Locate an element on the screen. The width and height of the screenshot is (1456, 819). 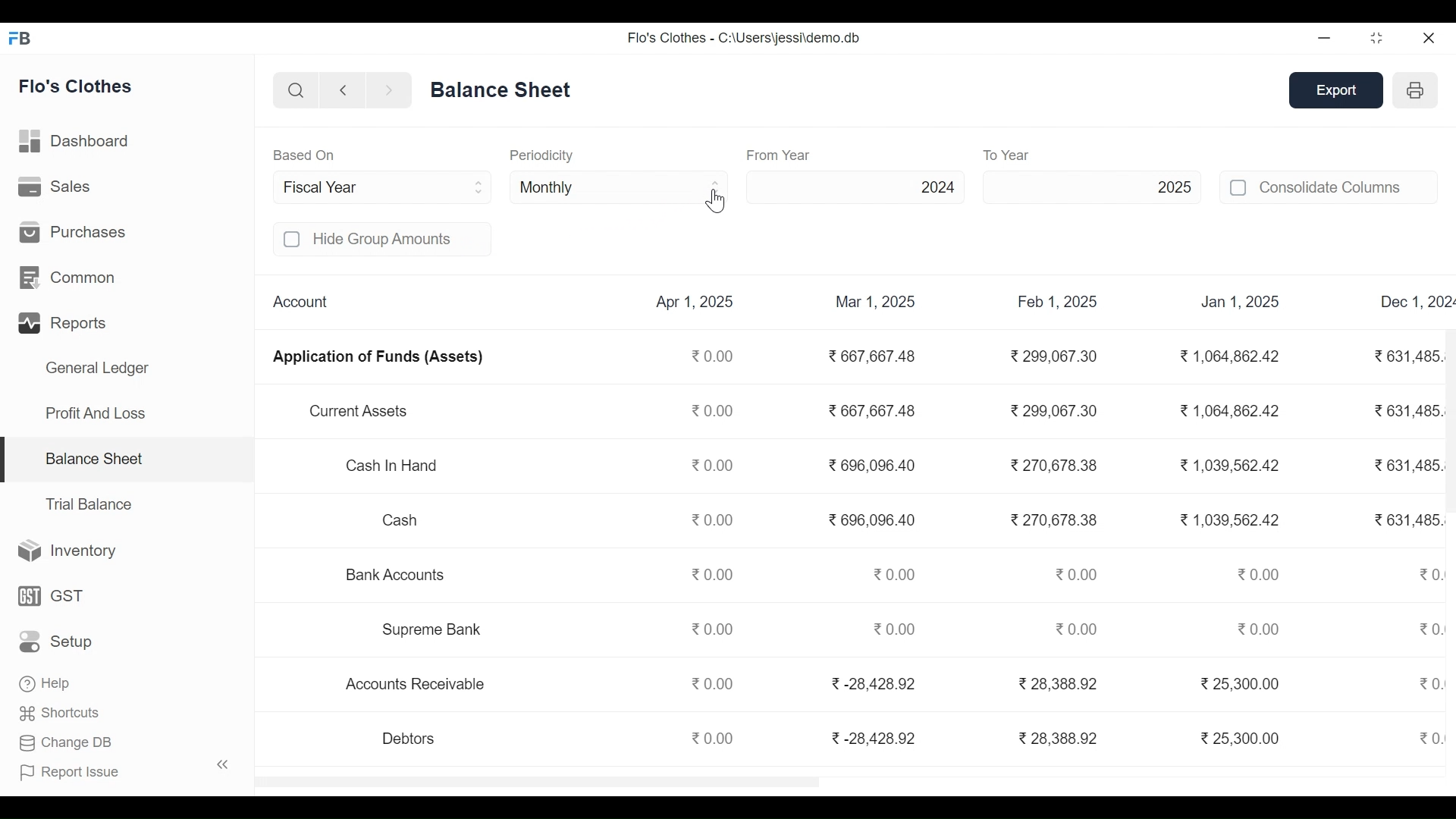
Current Assets 30.00 3 667,667.48 299,067.30 %1,064,862.42 is located at coordinates (798, 414).